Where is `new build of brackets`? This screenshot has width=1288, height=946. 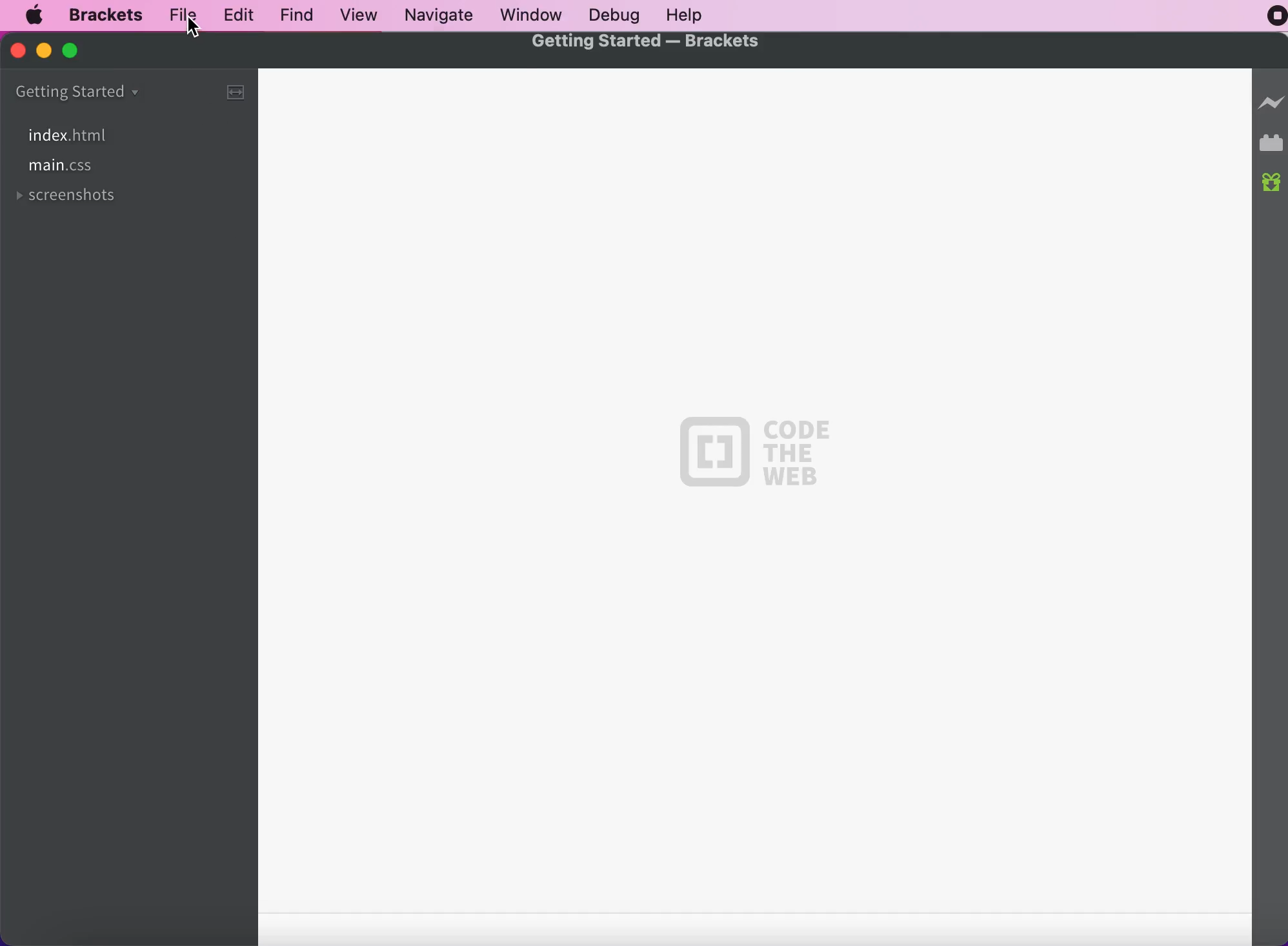 new build of brackets is located at coordinates (1271, 183).